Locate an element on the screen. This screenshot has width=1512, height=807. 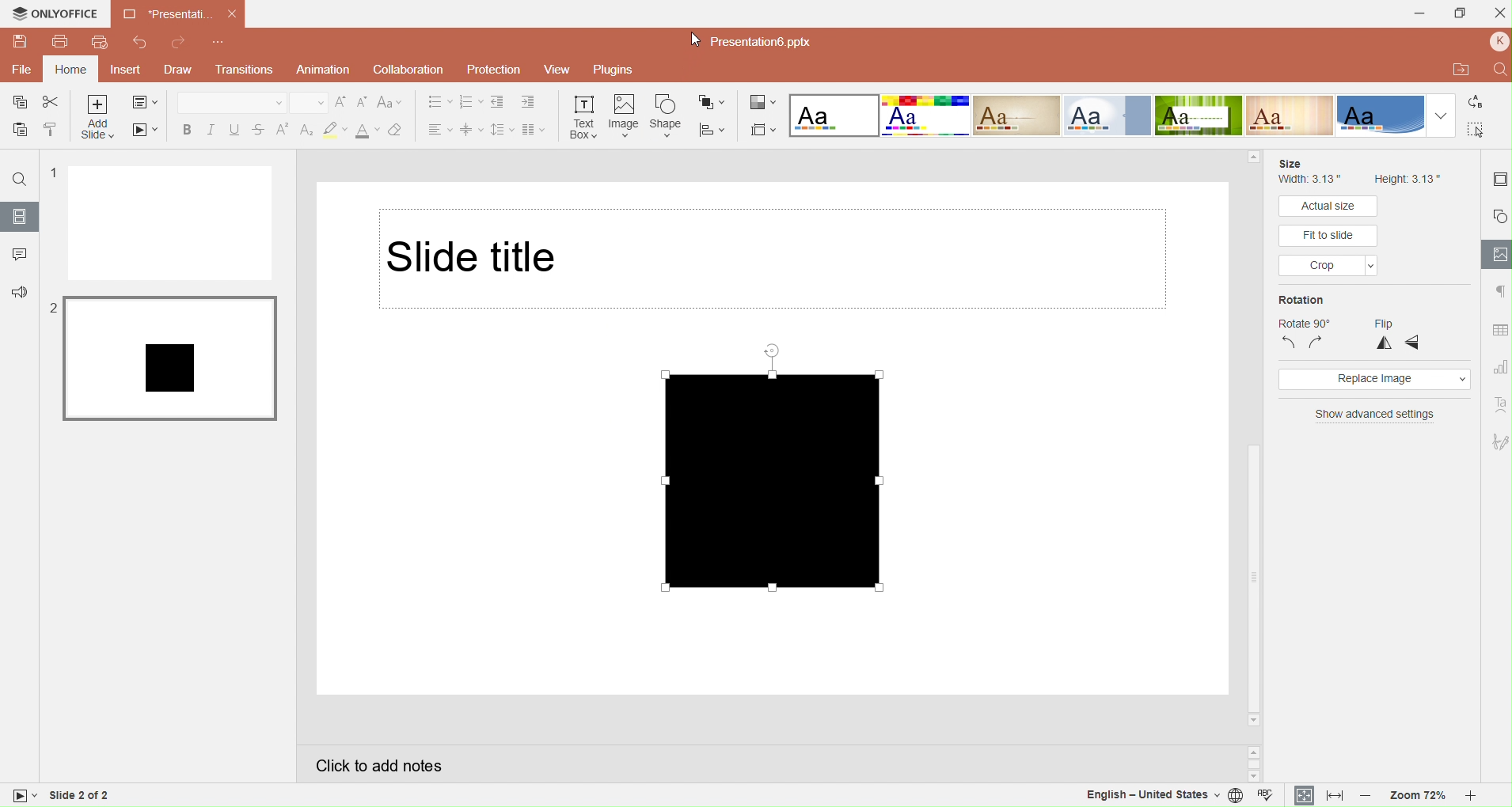
File is located at coordinates (20, 70).